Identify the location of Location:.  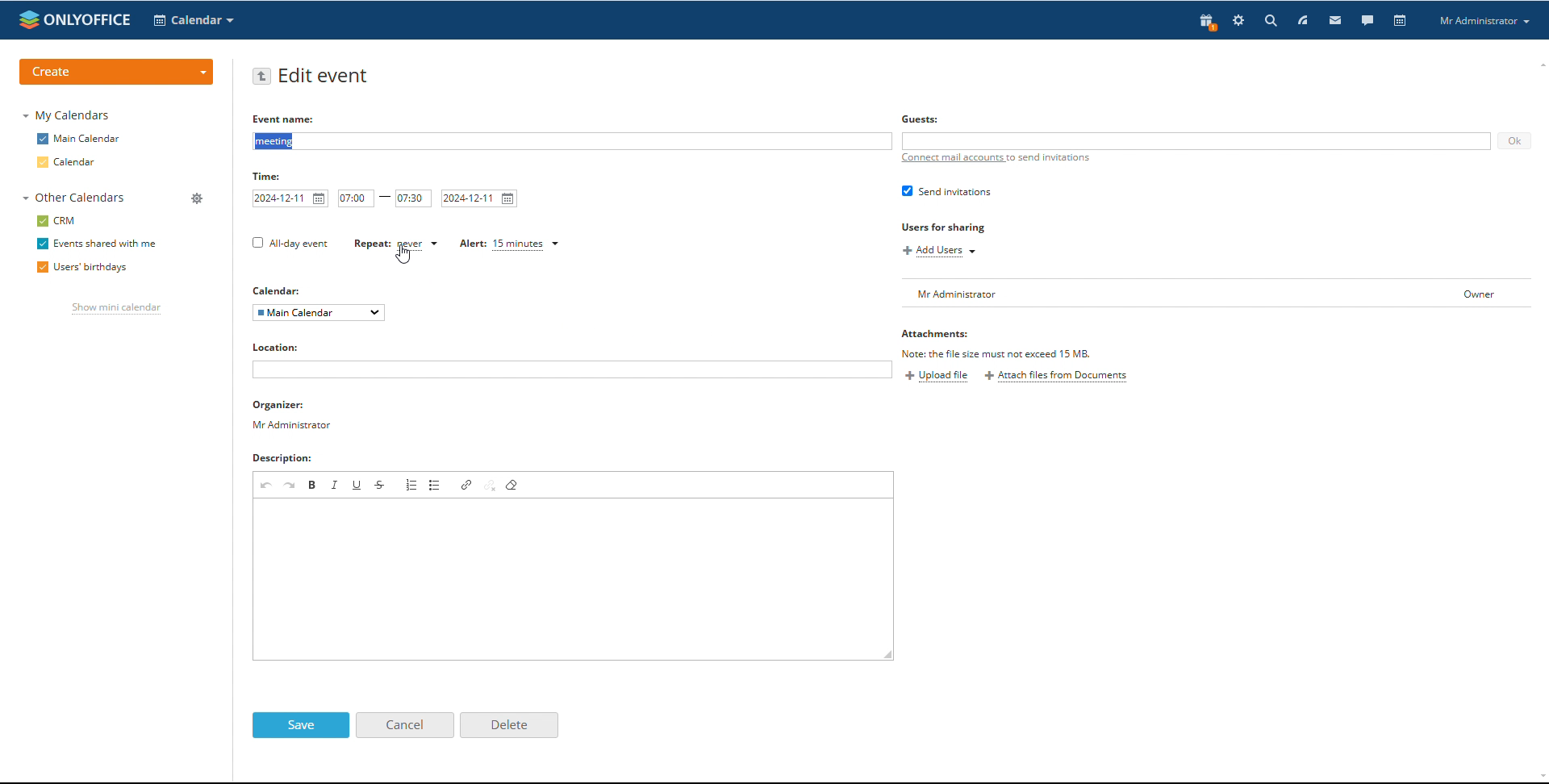
(284, 348).